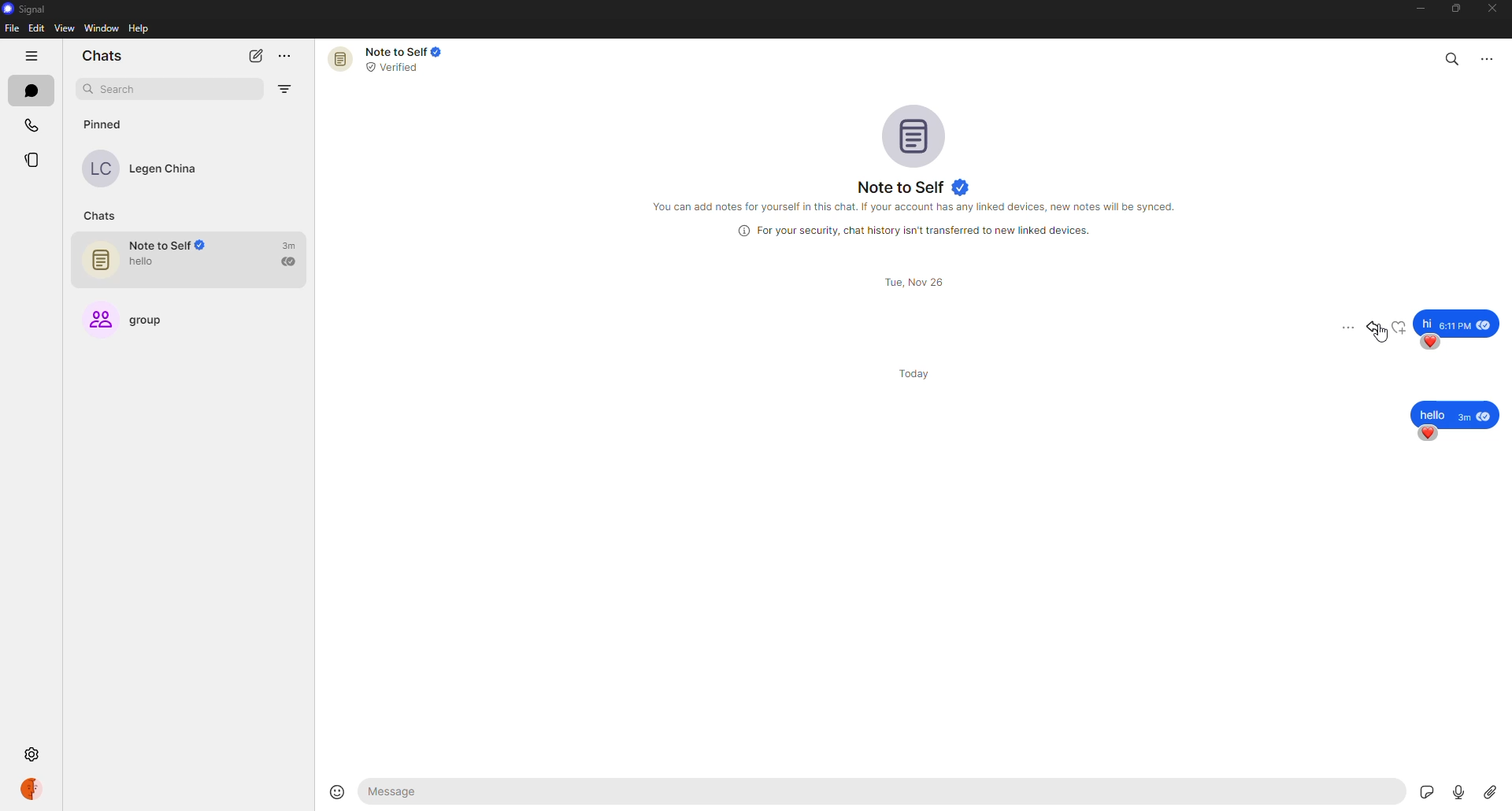 The width and height of the screenshot is (1512, 811). Describe the element at coordinates (13, 28) in the screenshot. I see `file` at that location.